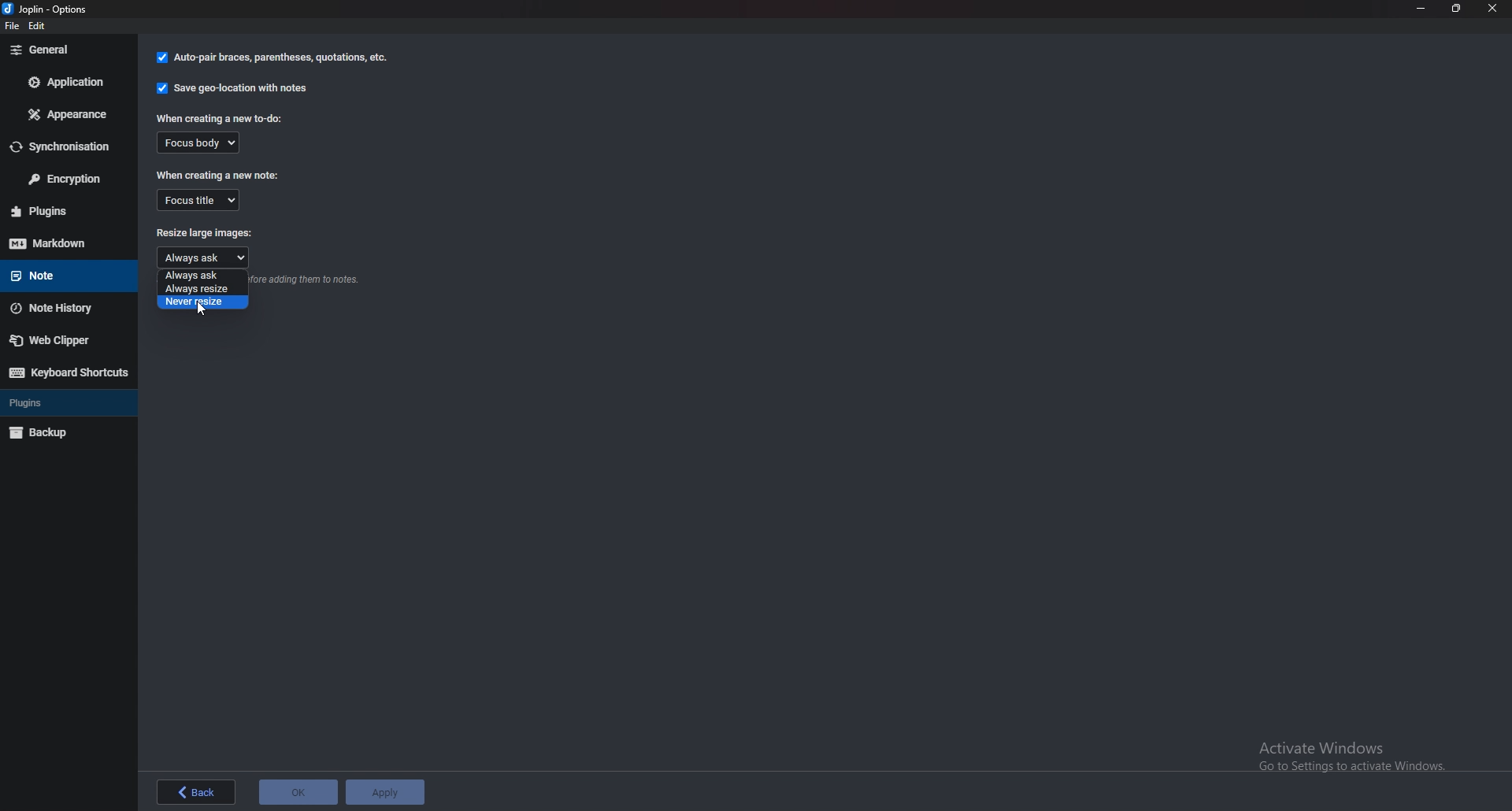 The width and height of the screenshot is (1512, 811). What do you see at coordinates (385, 791) in the screenshot?
I see `apply` at bounding box center [385, 791].